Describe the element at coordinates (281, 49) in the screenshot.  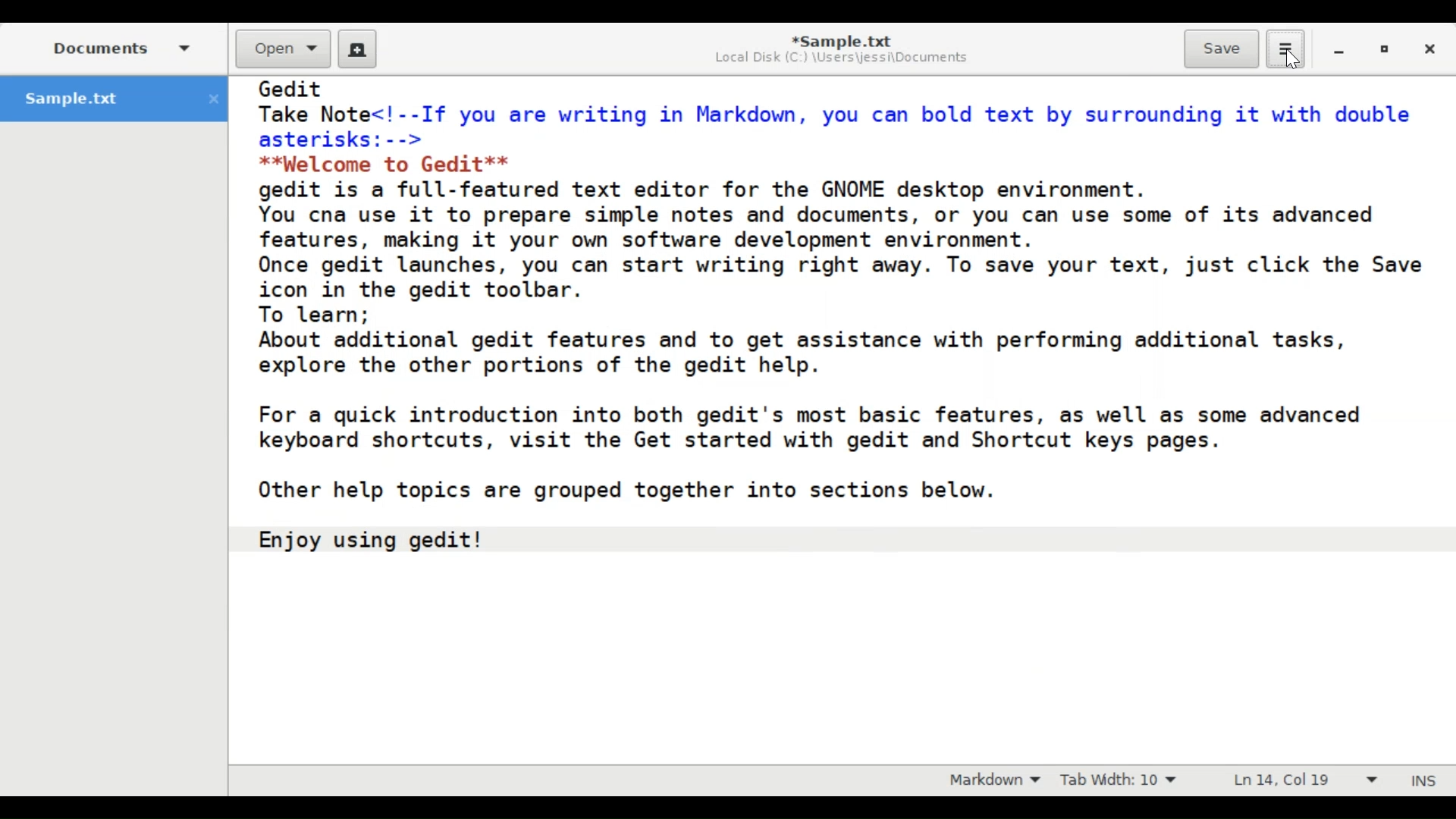
I see `Open` at that location.